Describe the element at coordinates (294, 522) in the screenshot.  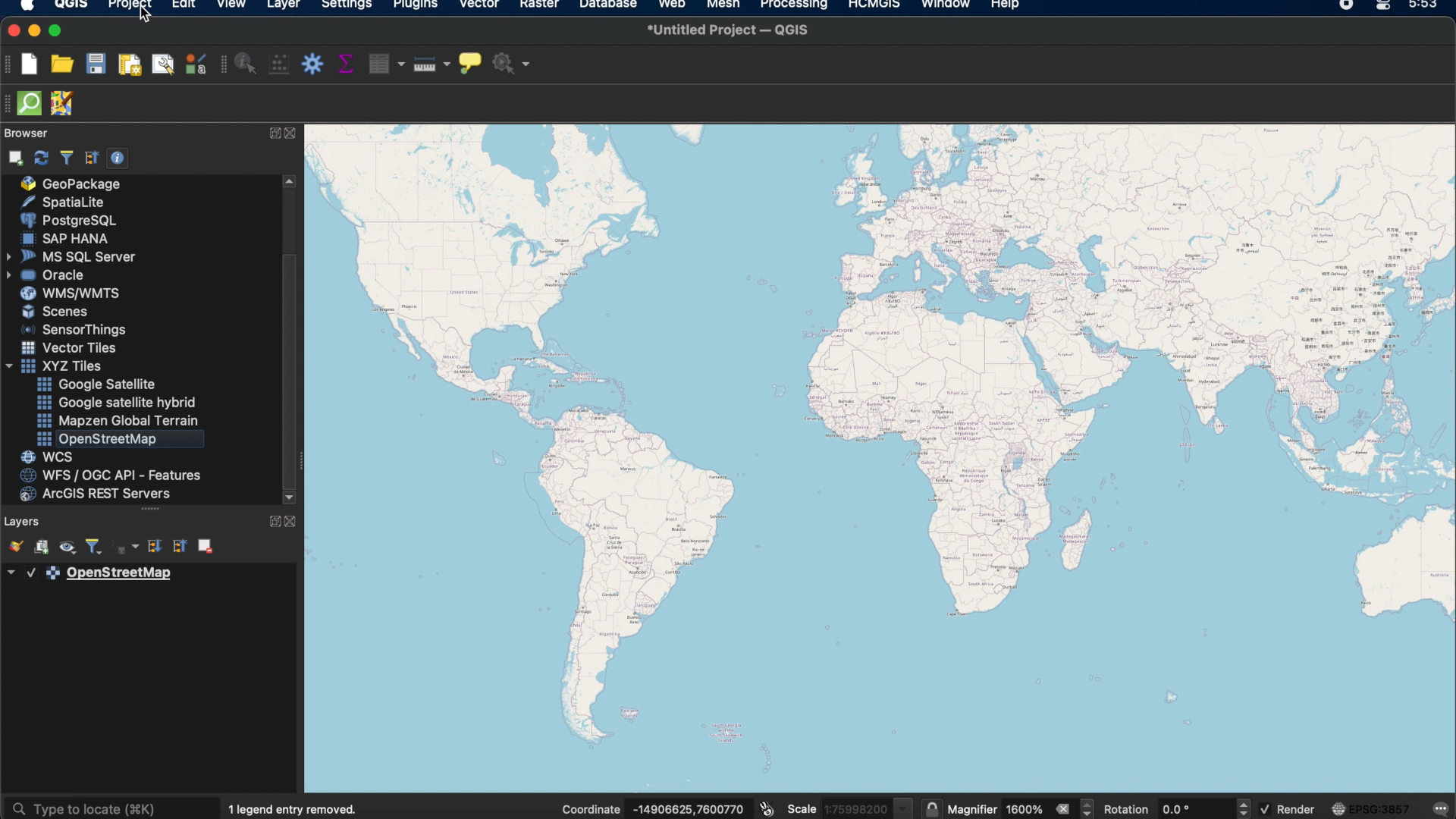
I see `close` at that location.